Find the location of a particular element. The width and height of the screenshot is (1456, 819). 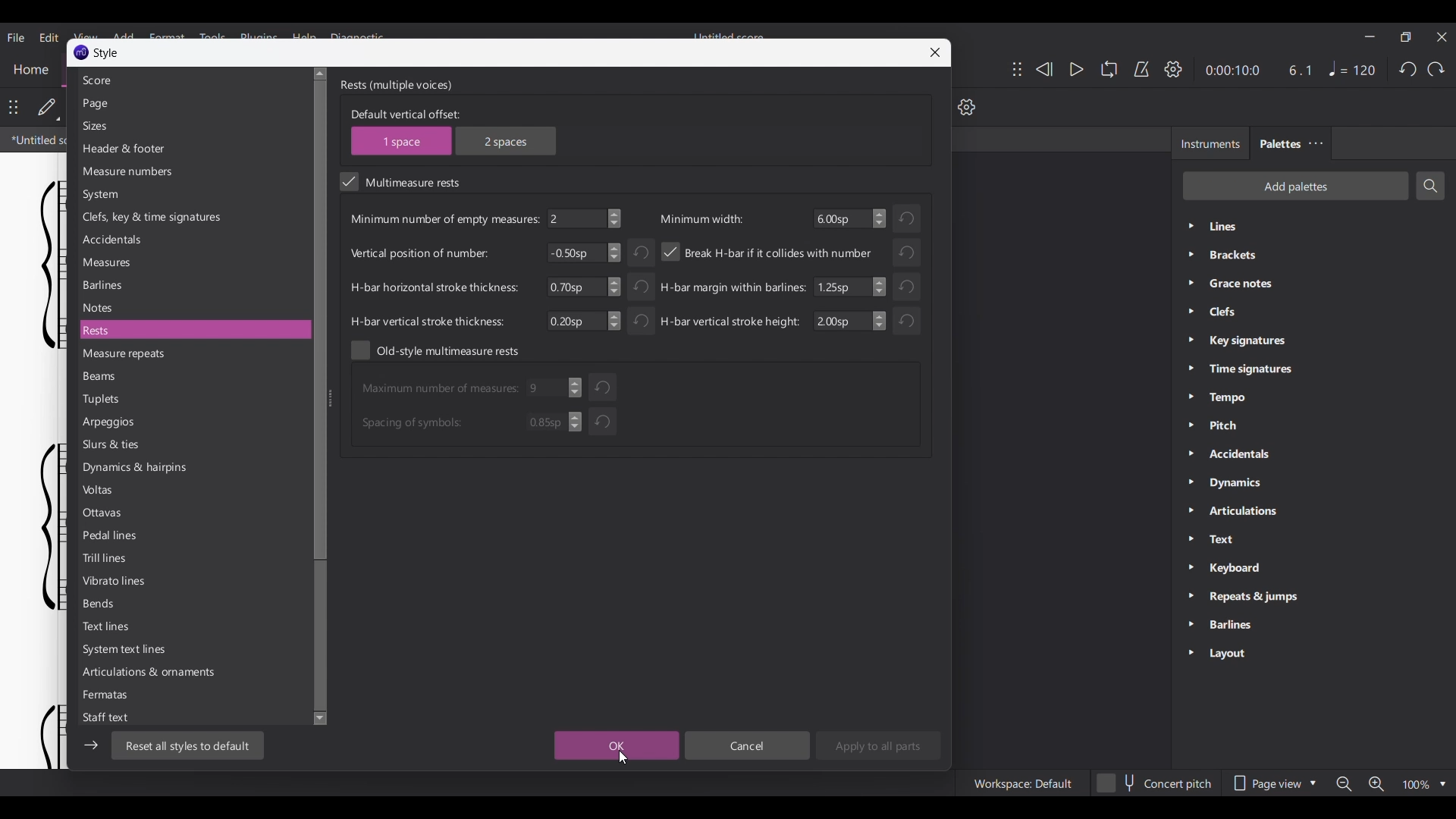

System text lines is located at coordinates (192, 650).